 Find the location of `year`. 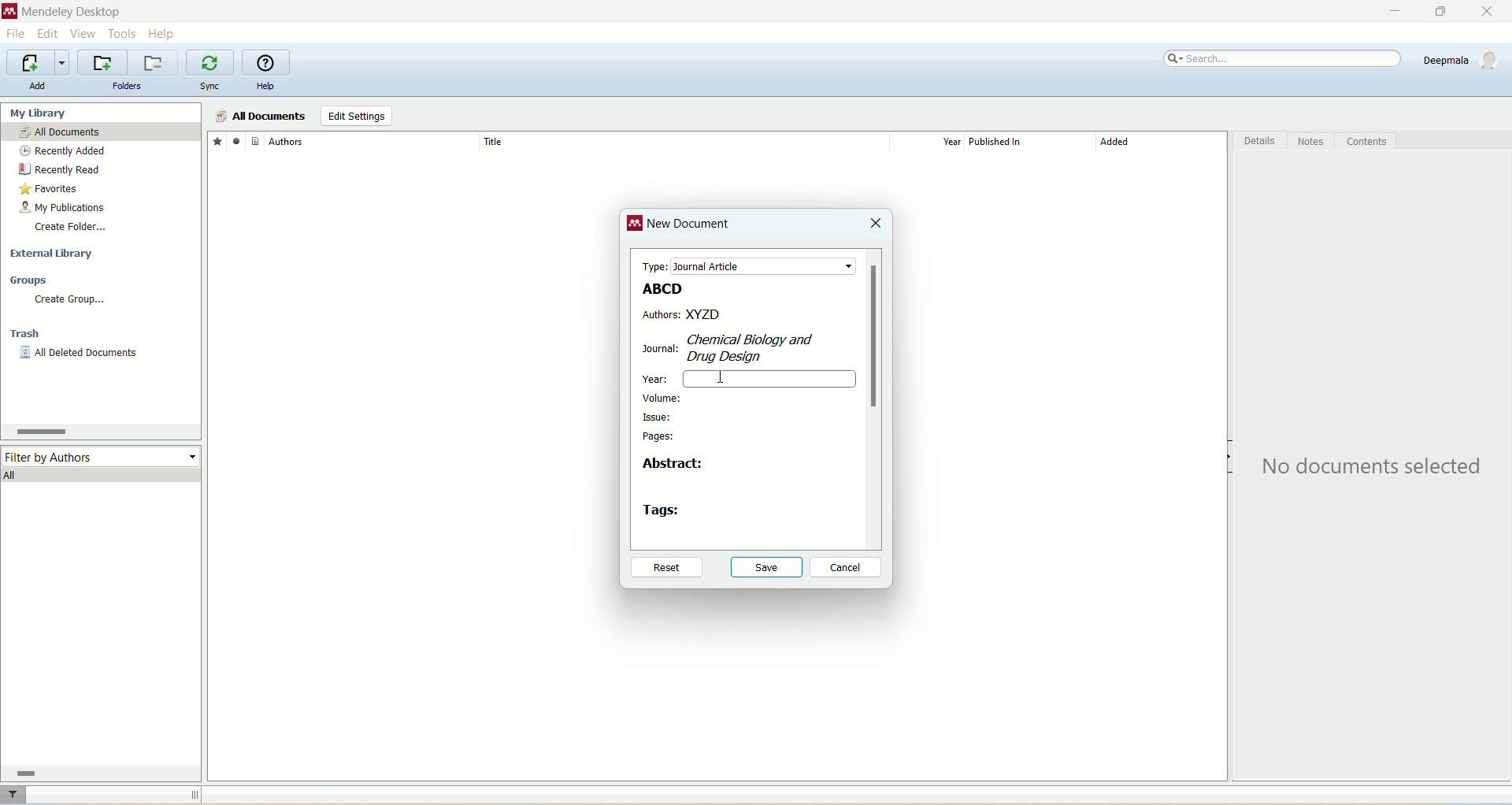

year is located at coordinates (932, 142).